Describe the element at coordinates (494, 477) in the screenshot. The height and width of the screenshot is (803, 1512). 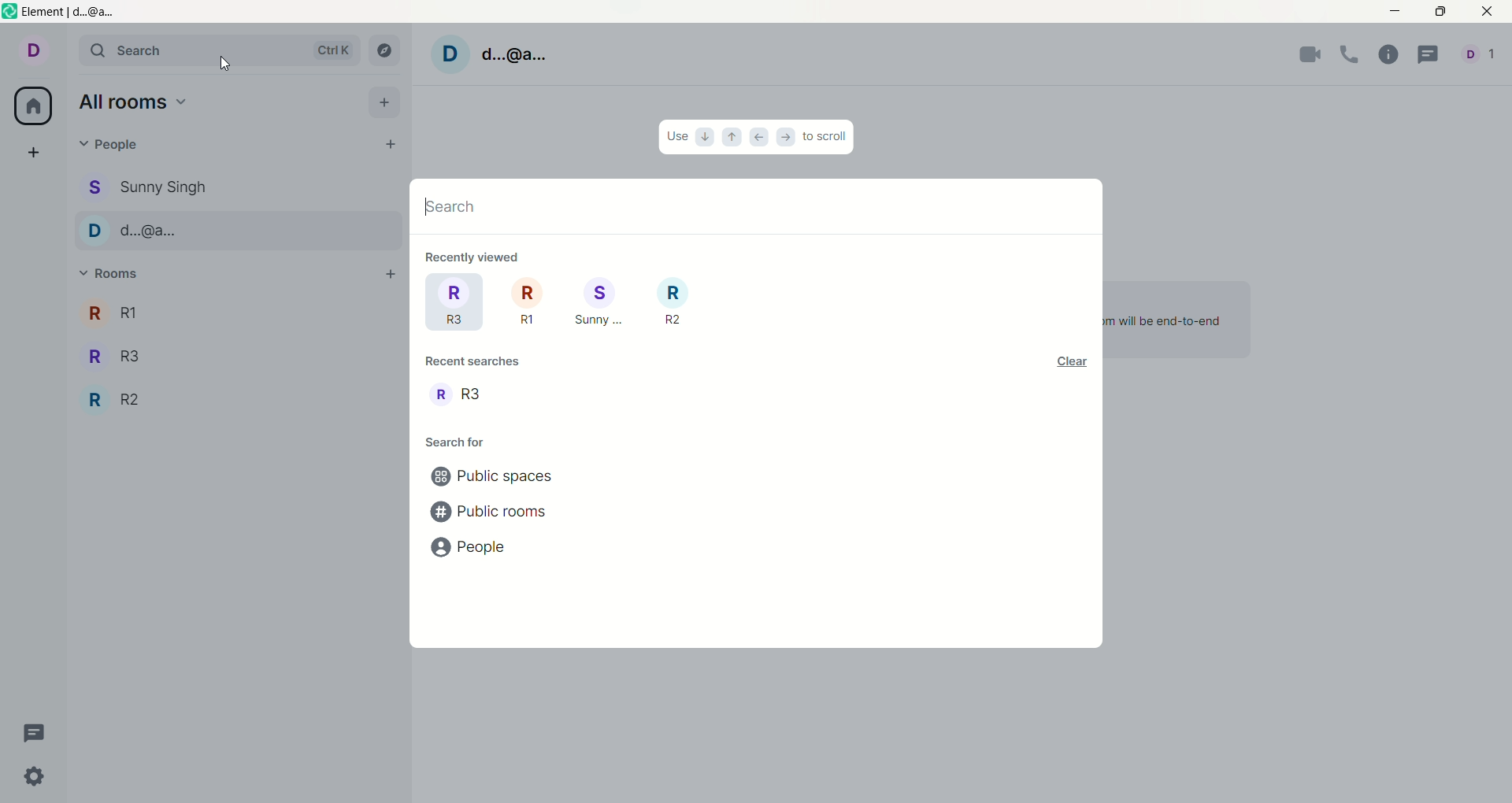
I see `public spaces` at that location.